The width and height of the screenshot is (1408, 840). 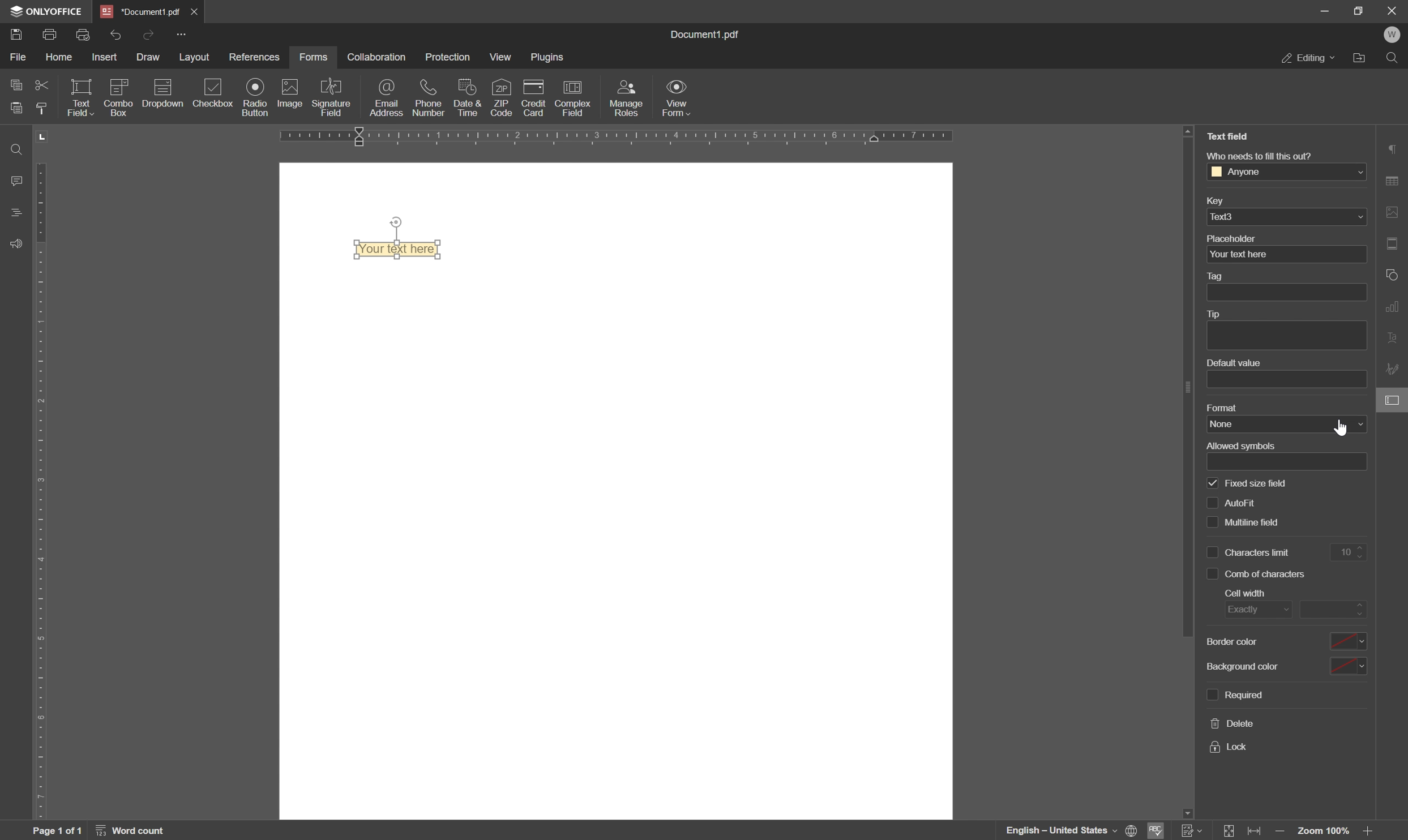 What do you see at coordinates (1192, 831) in the screenshot?
I see `track changes` at bounding box center [1192, 831].